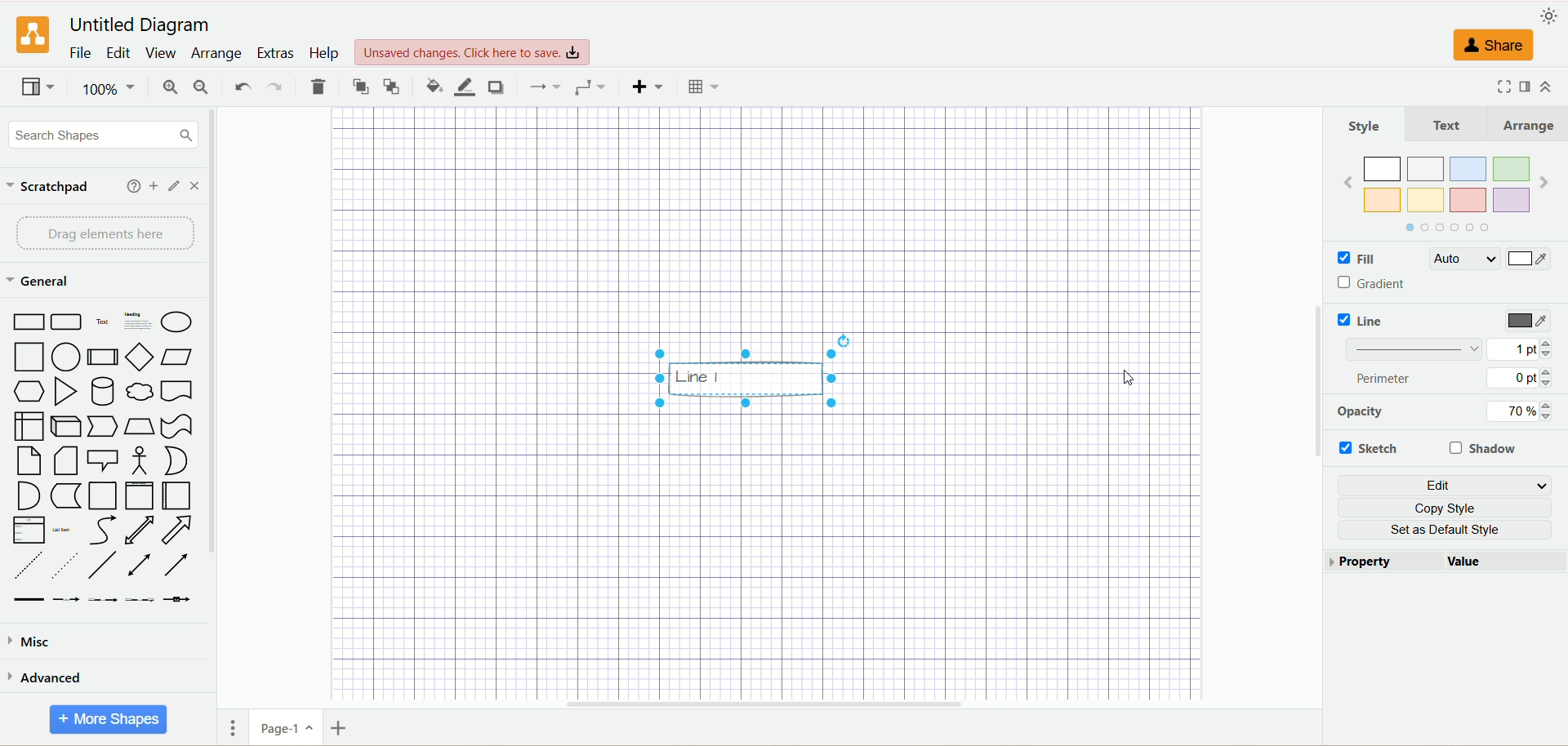 The height and width of the screenshot is (746, 1568). Describe the element at coordinates (111, 717) in the screenshot. I see `more shapes` at that location.